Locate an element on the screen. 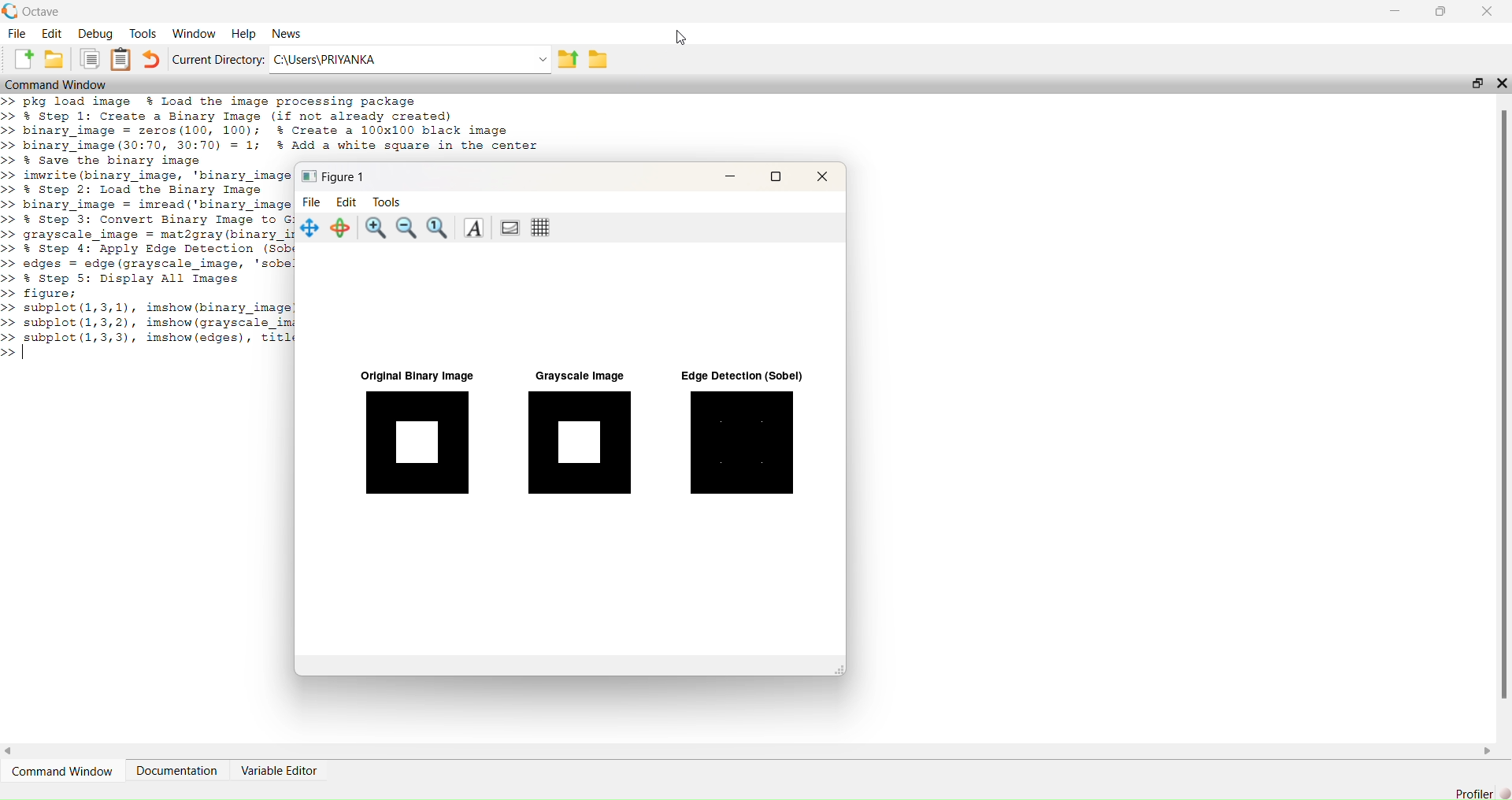 This screenshot has height=800, width=1512. edges = edge (grayscale image, 'sobe! is located at coordinates (160, 264).